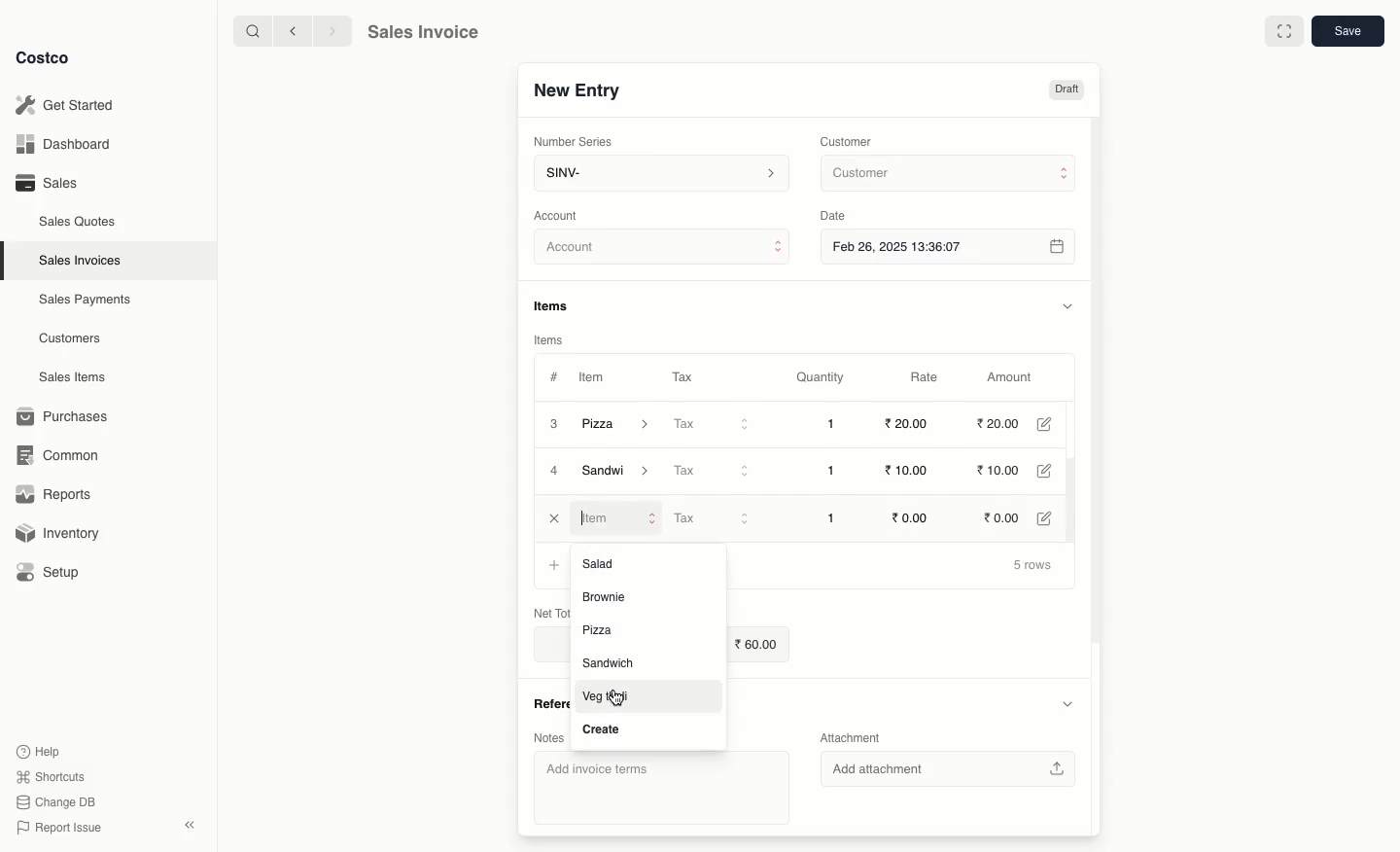 Image resolution: width=1400 pixels, height=852 pixels. I want to click on Item, so click(617, 517).